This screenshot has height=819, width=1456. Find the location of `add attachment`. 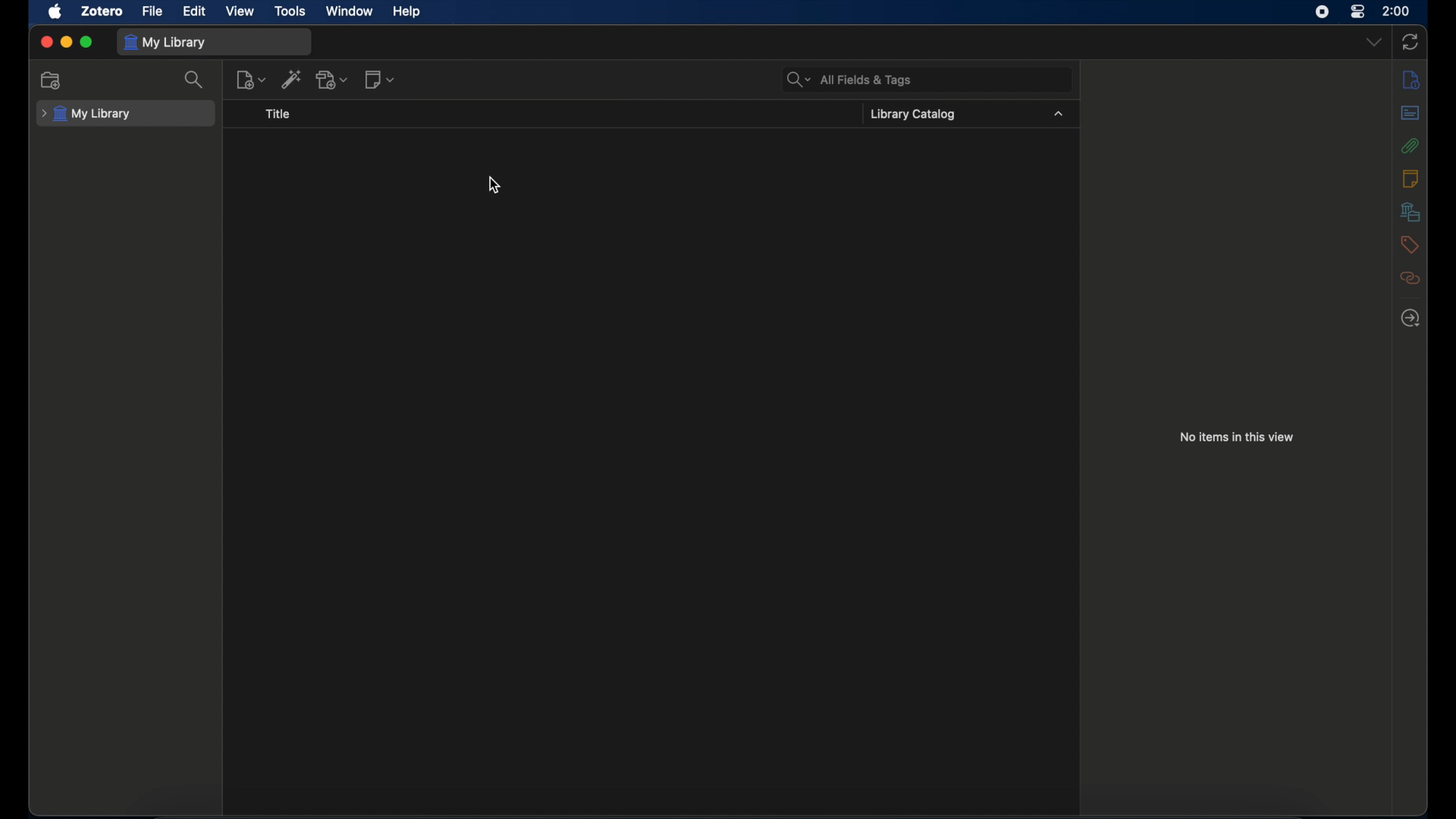

add attachment is located at coordinates (333, 79).